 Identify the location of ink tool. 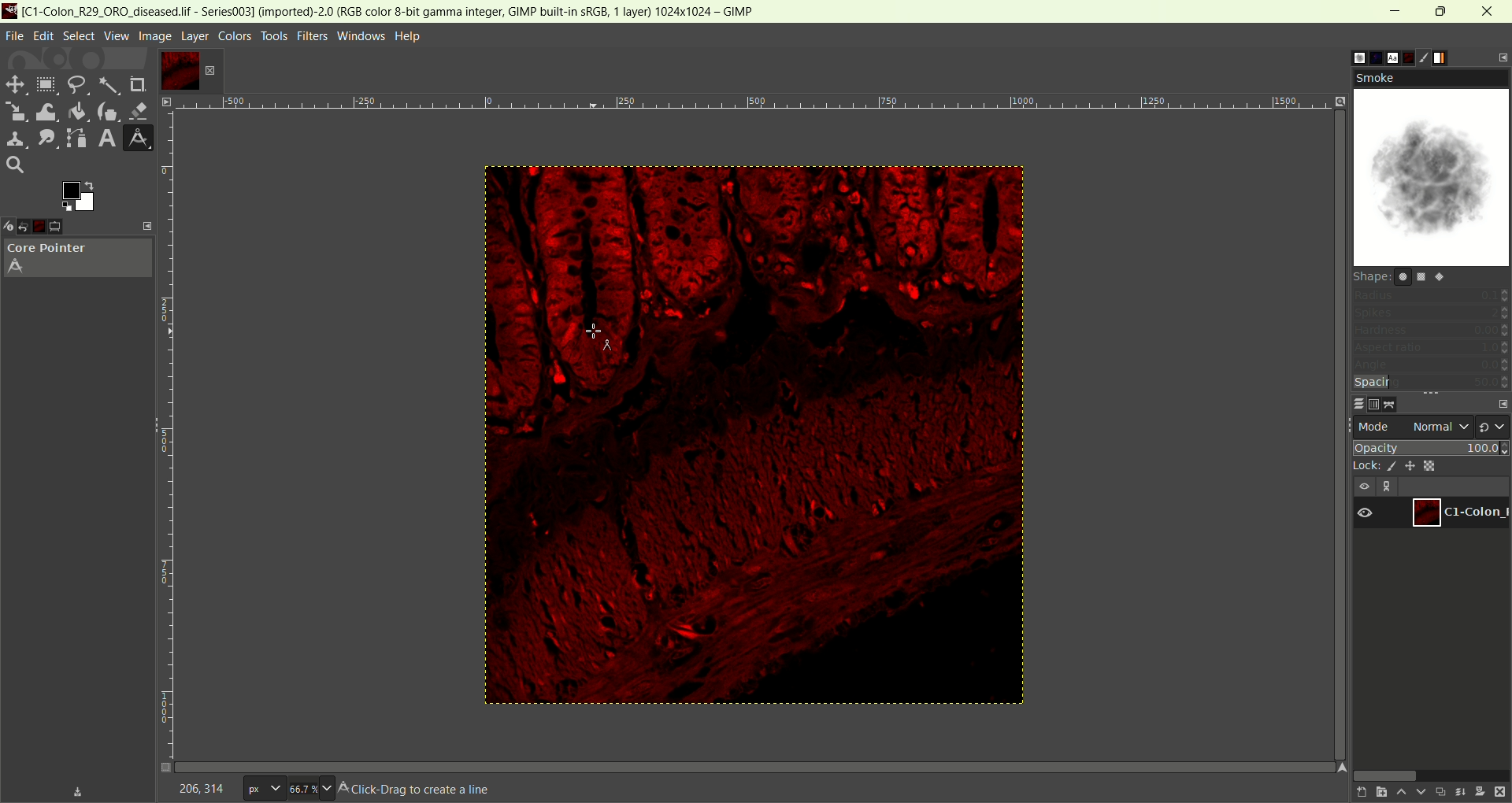
(108, 111).